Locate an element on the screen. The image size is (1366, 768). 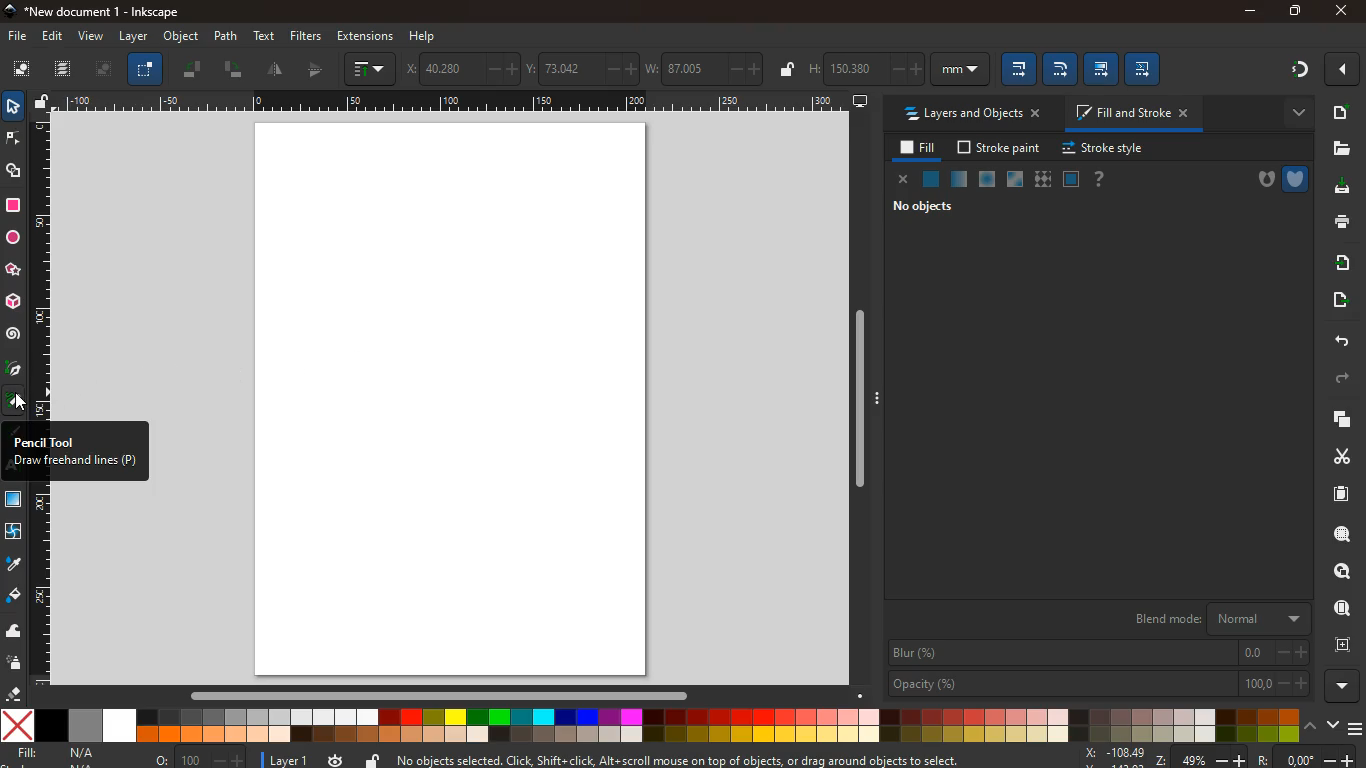
tilt is located at coordinates (190, 71).